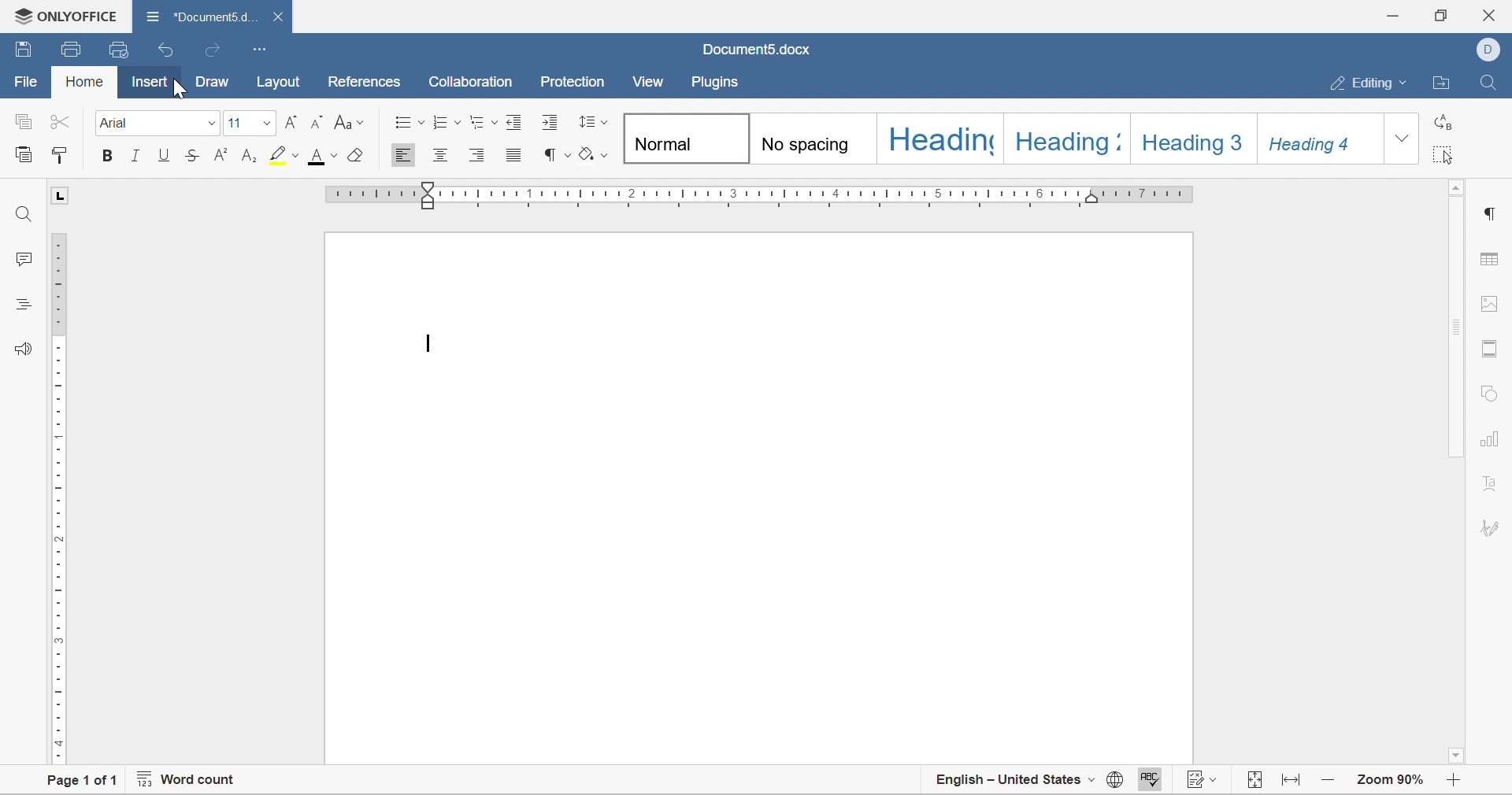 This screenshot has width=1512, height=795. What do you see at coordinates (258, 48) in the screenshot?
I see `customize quick access toolbar` at bounding box center [258, 48].